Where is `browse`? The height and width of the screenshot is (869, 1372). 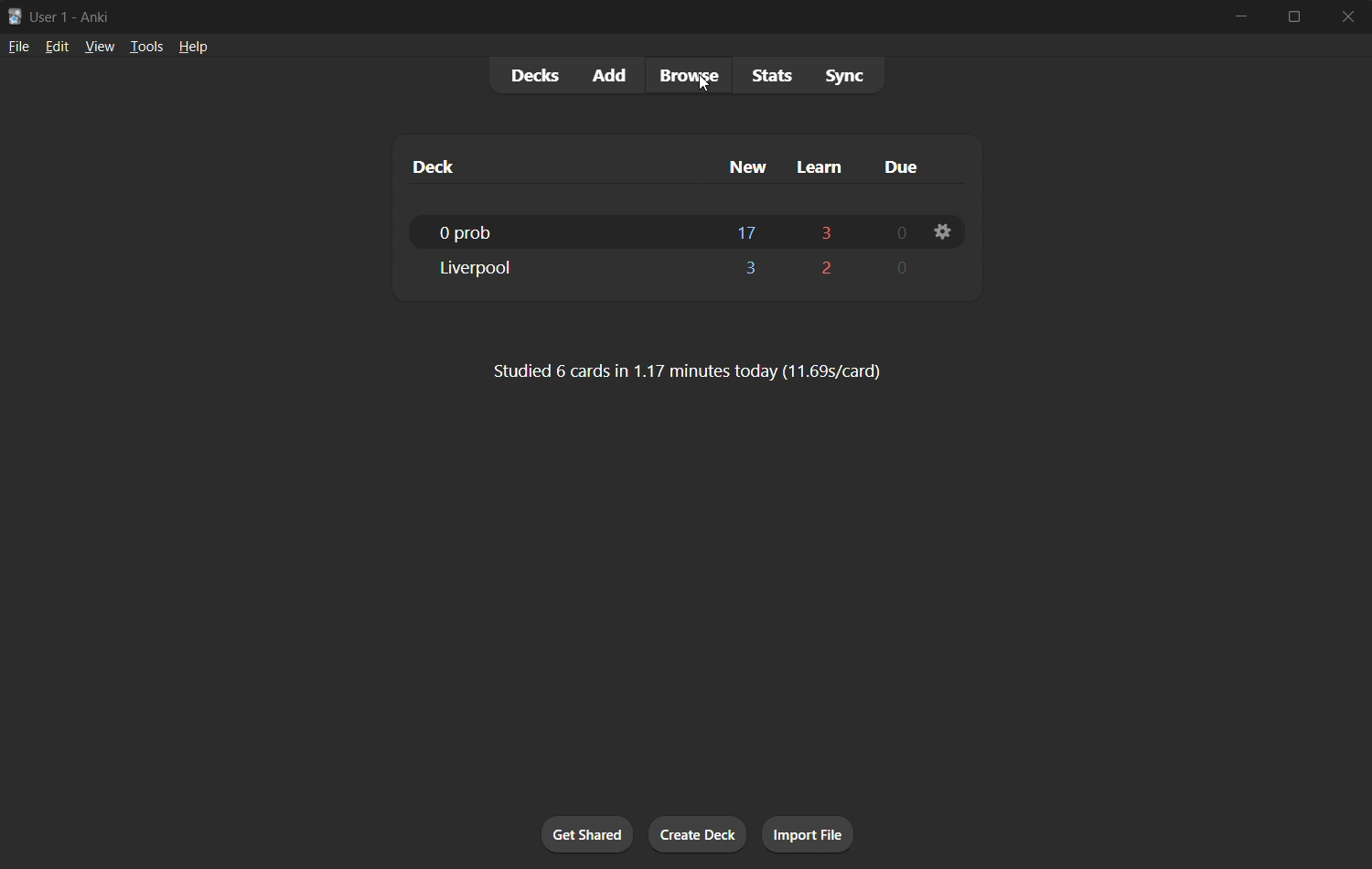
browse is located at coordinates (691, 74).